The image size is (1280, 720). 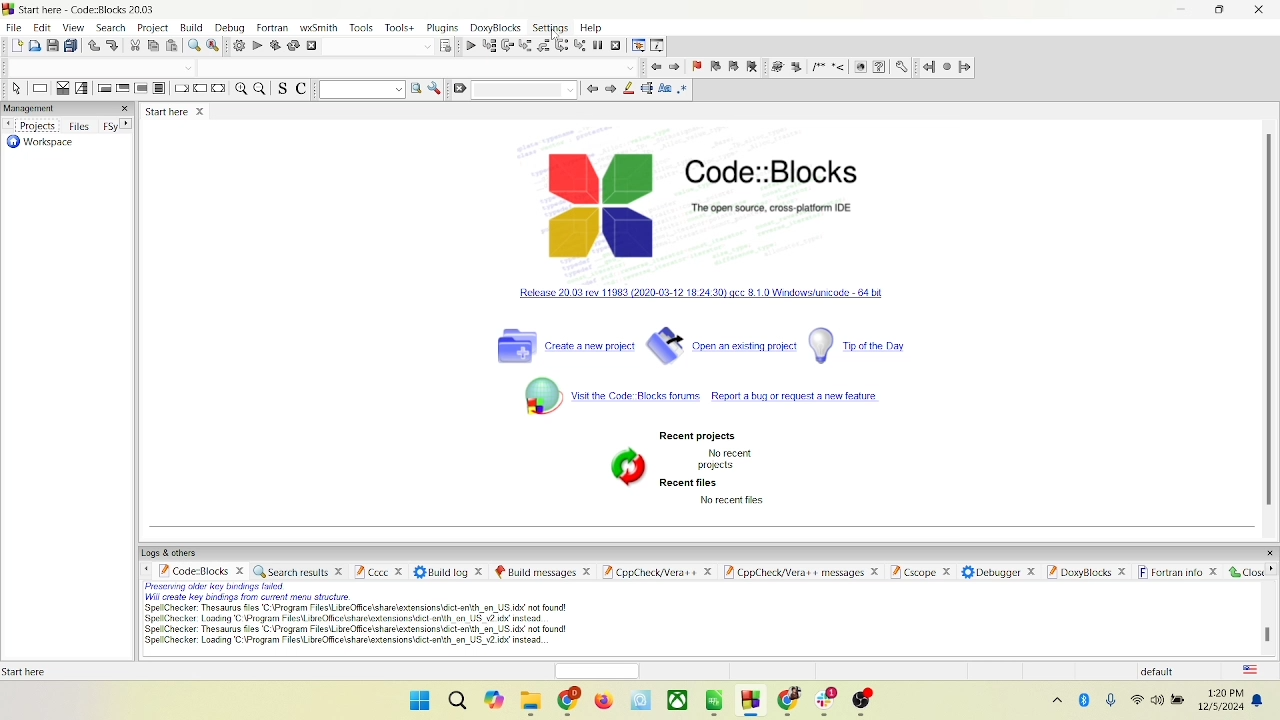 What do you see at coordinates (1172, 700) in the screenshot?
I see `speaker and battery` at bounding box center [1172, 700].